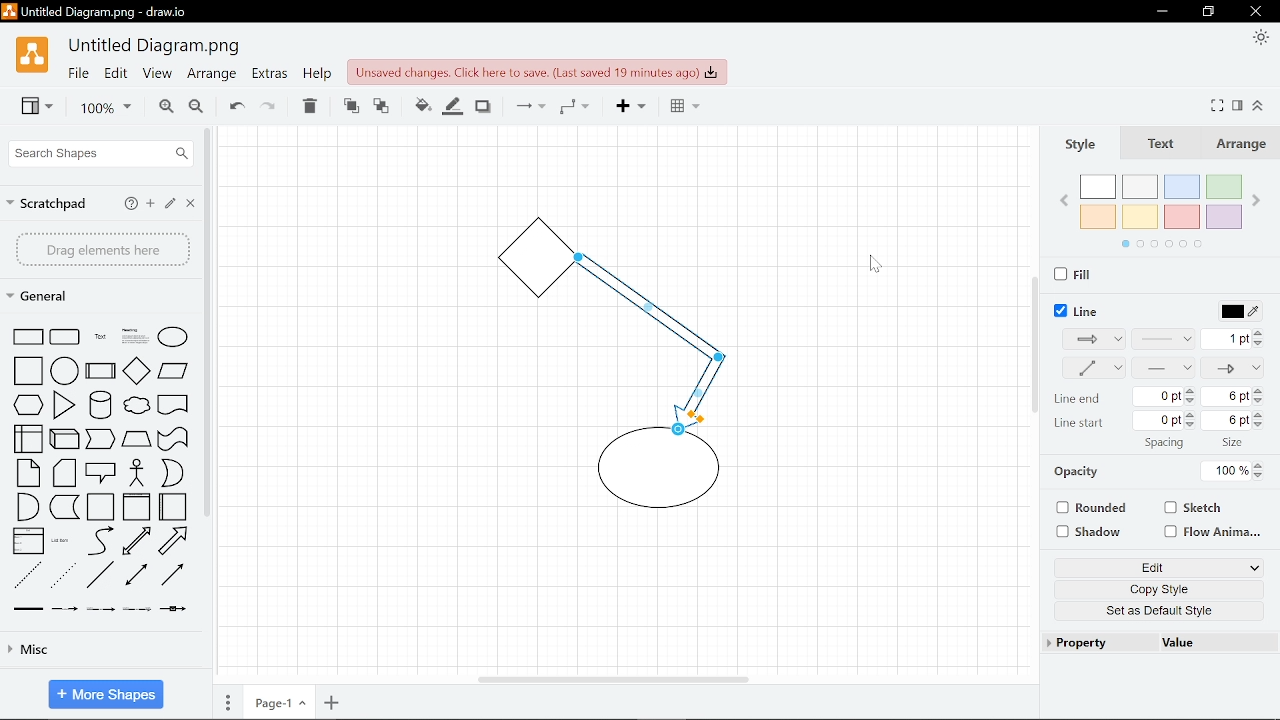  Describe the element at coordinates (1086, 471) in the screenshot. I see `opacity` at that location.